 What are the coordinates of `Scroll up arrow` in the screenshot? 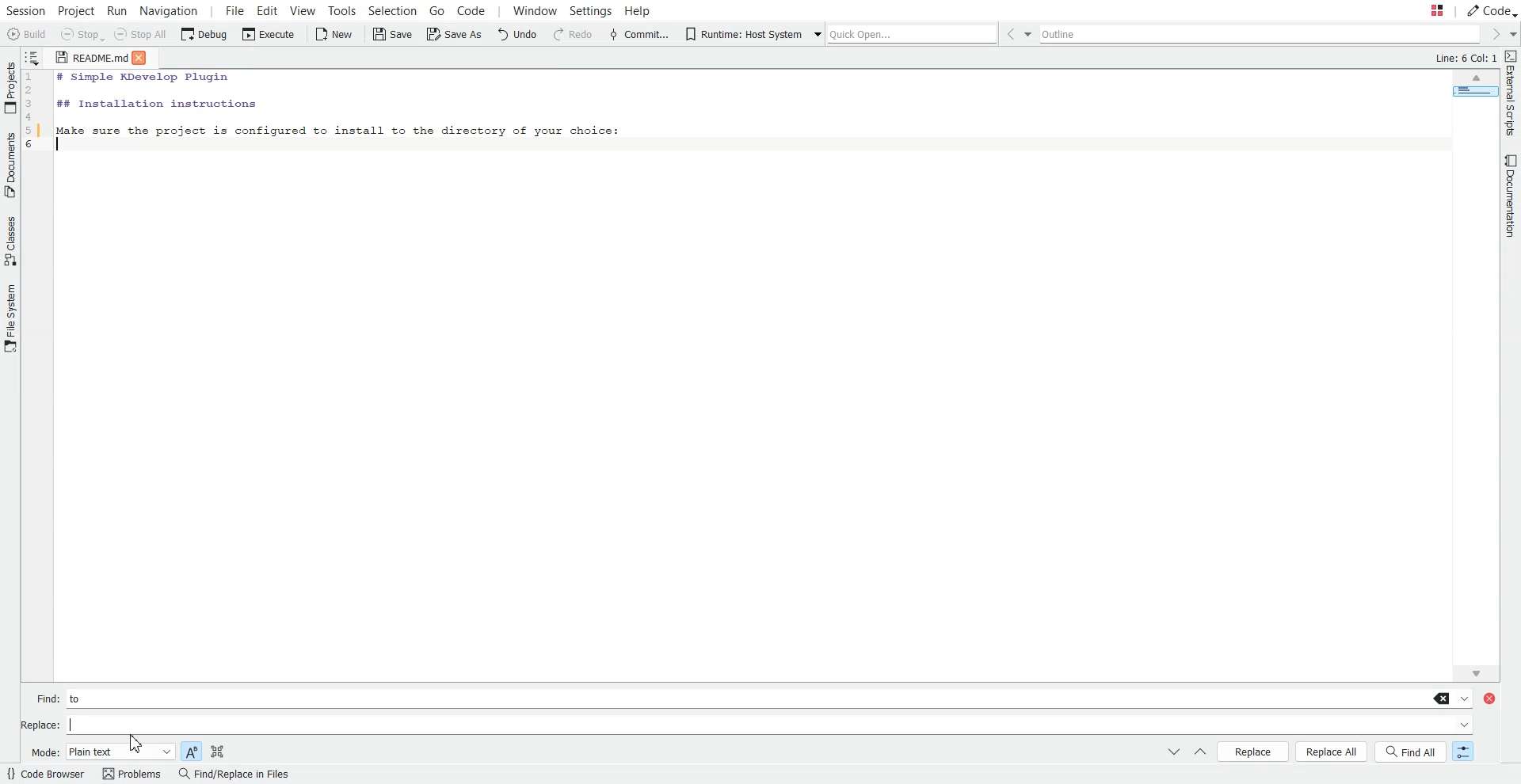 It's located at (1476, 79).